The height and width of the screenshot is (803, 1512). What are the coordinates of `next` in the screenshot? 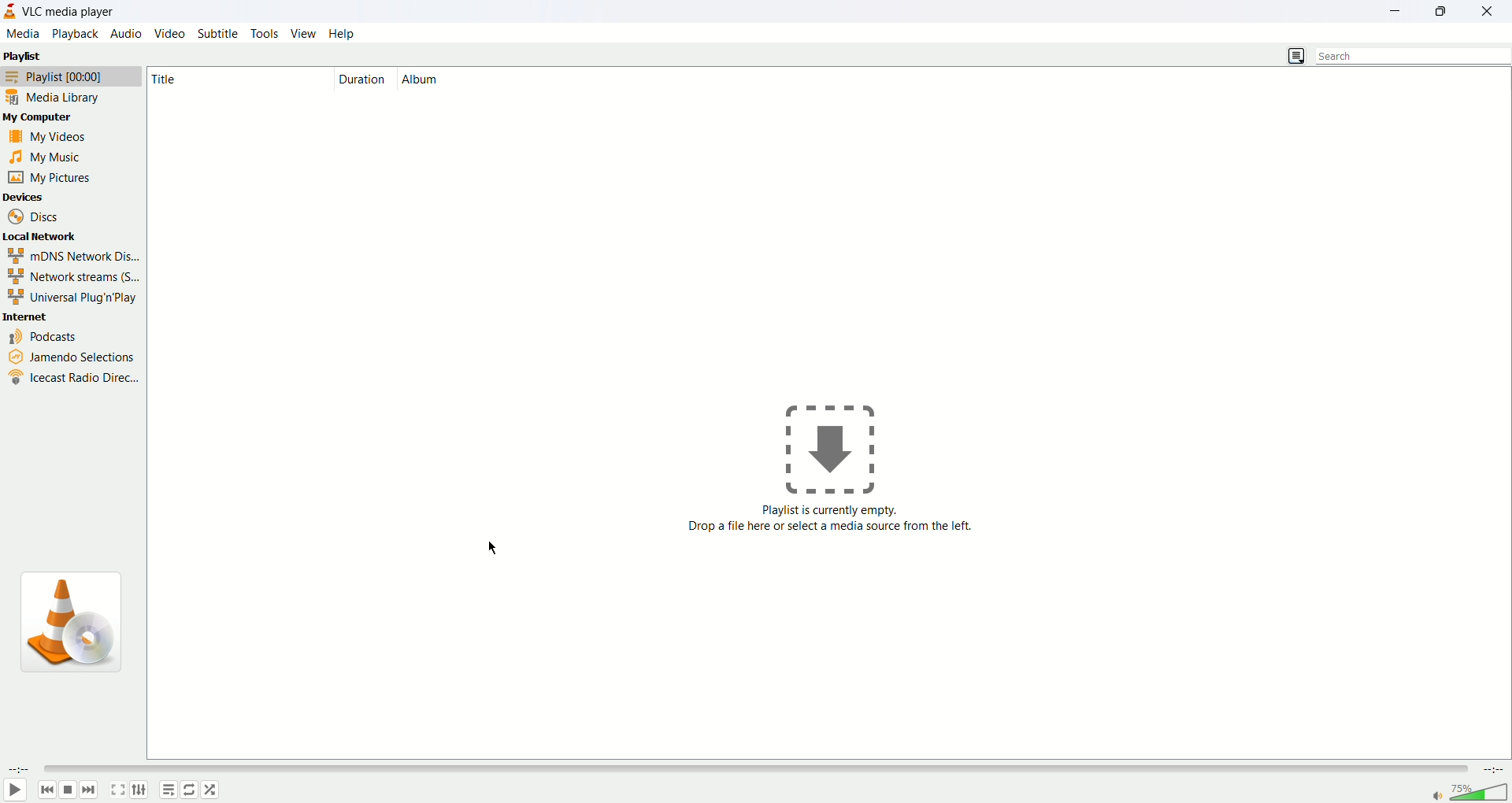 It's located at (88, 790).